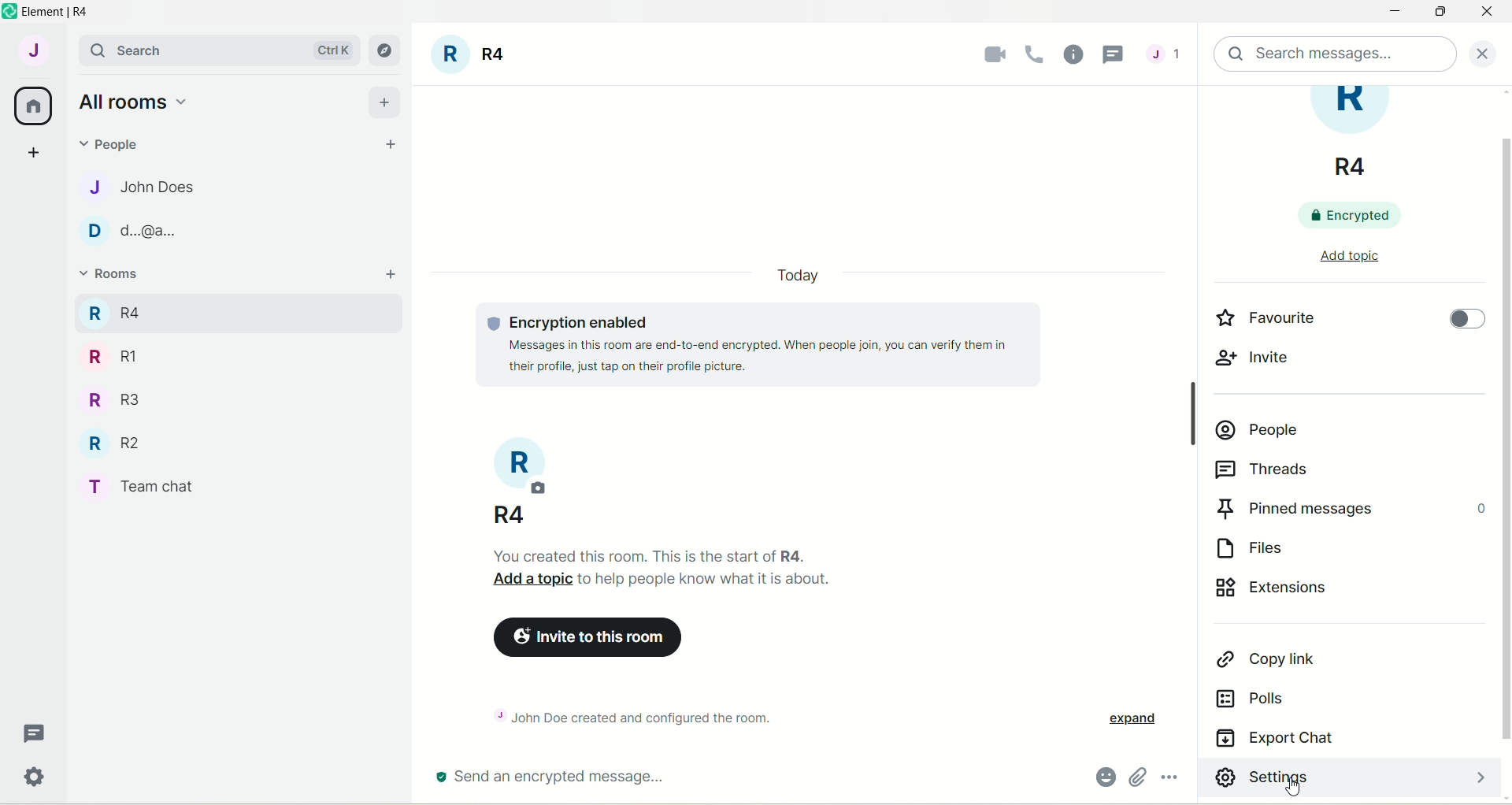 The height and width of the screenshot is (805, 1512). I want to click on Ctrl K, so click(330, 50).